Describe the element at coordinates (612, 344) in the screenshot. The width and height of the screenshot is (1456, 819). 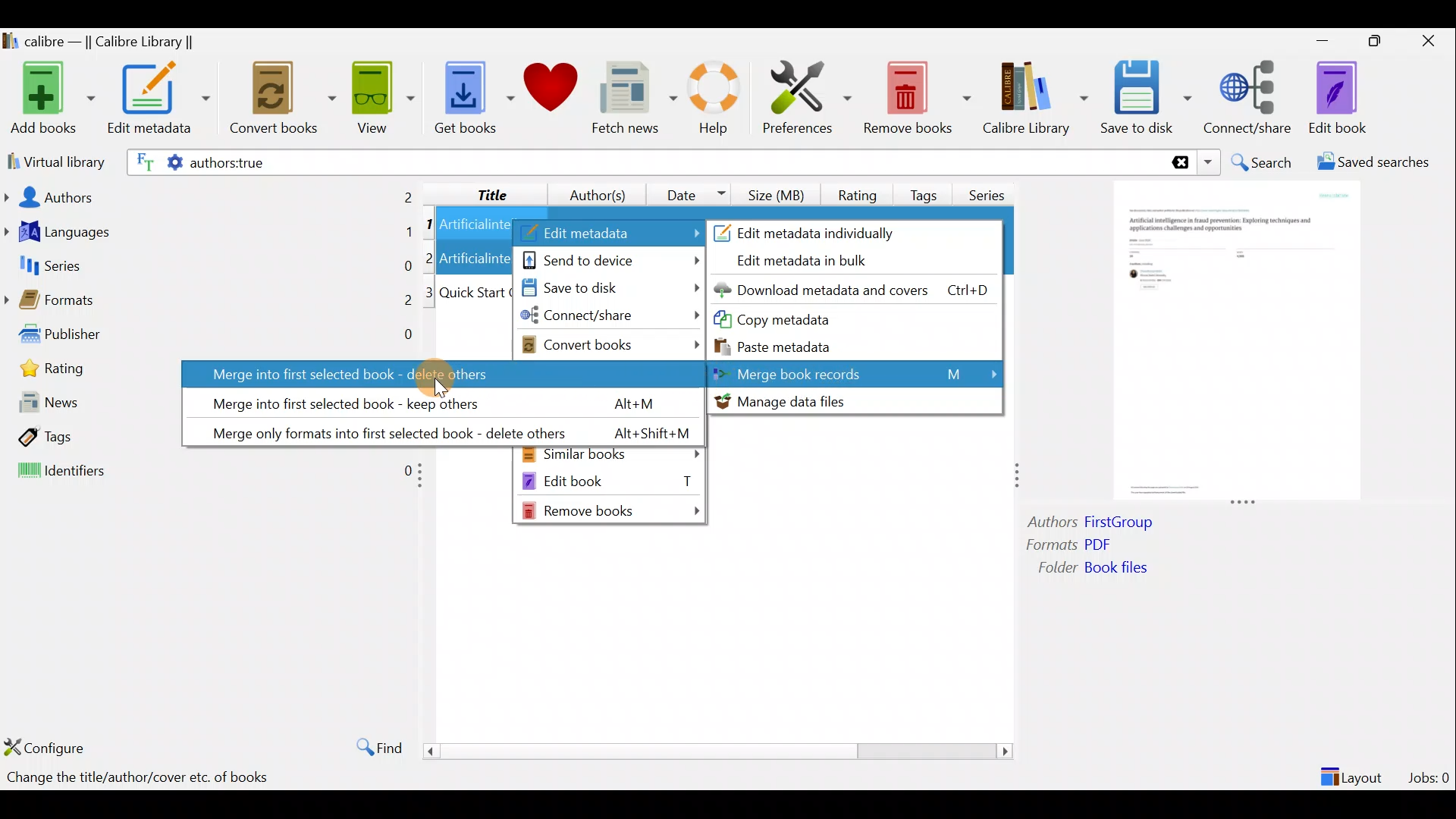
I see `Convert books` at that location.